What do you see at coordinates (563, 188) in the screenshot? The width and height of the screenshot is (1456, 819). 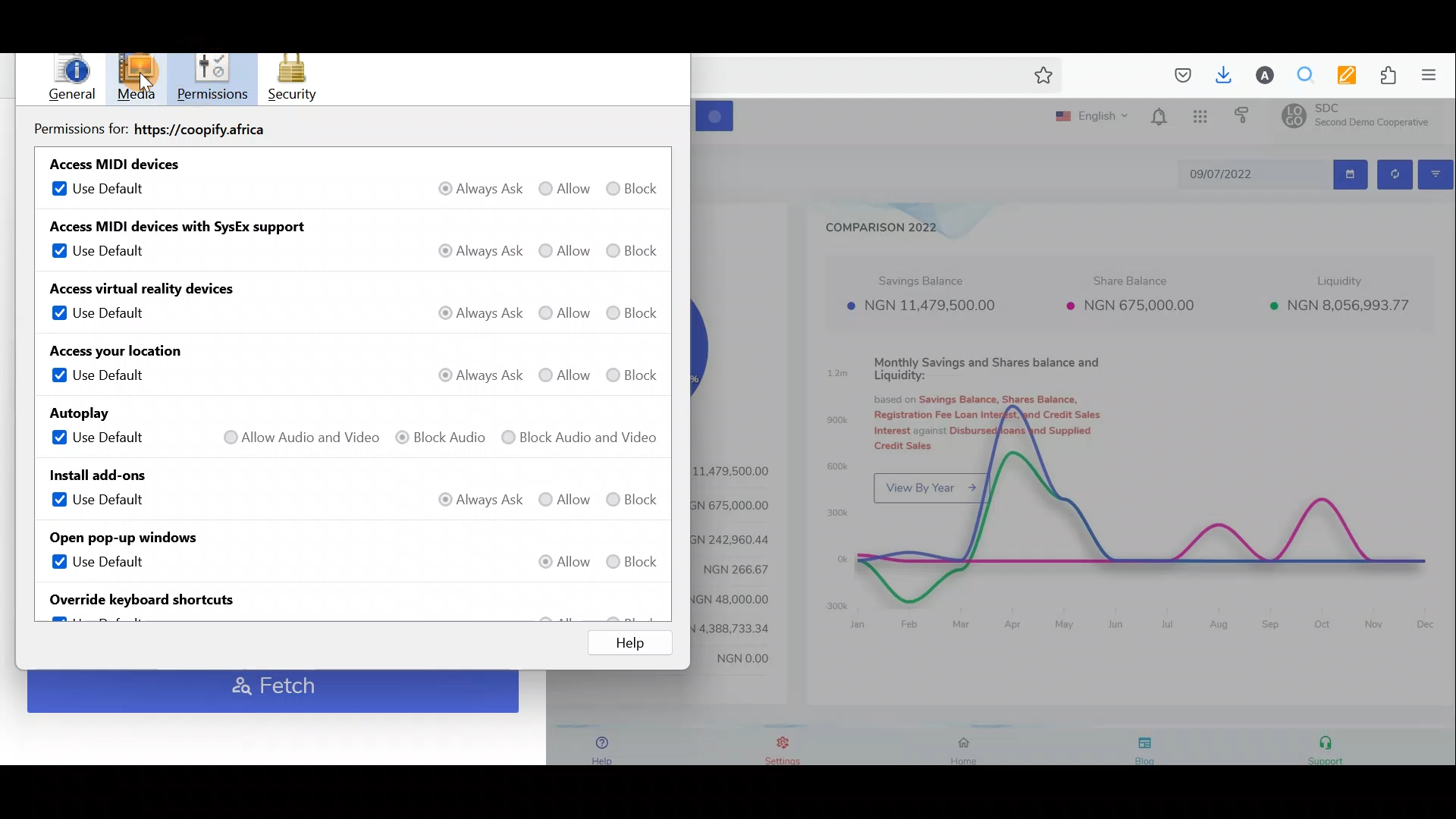 I see `Allow` at bounding box center [563, 188].